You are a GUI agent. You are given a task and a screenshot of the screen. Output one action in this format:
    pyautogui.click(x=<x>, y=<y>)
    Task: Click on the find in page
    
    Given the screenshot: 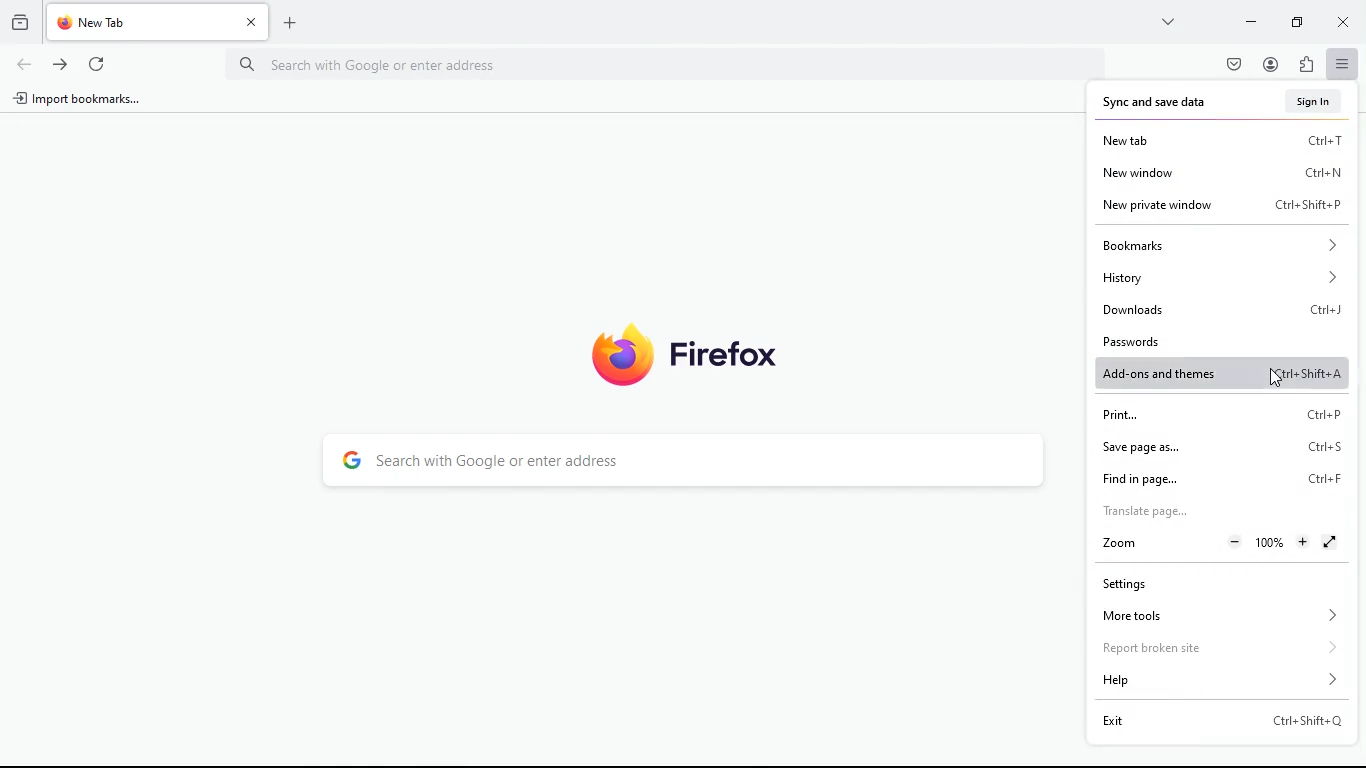 What is the action you would take?
    pyautogui.click(x=1217, y=477)
    